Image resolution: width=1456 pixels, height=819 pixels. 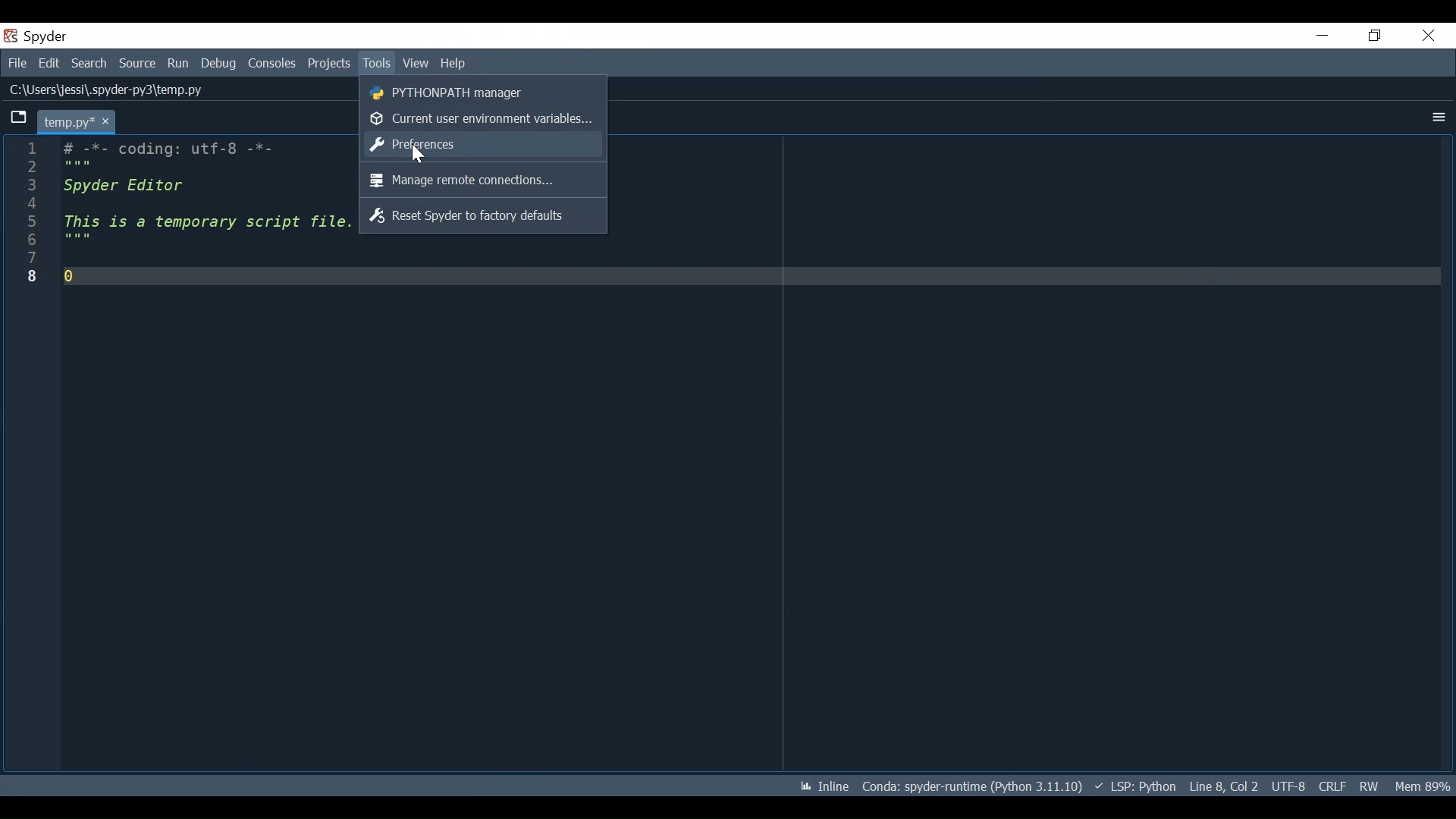 What do you see at coordinates (453, 64) in the screenshot?
I see `Help` at bounding box center [453, 64].